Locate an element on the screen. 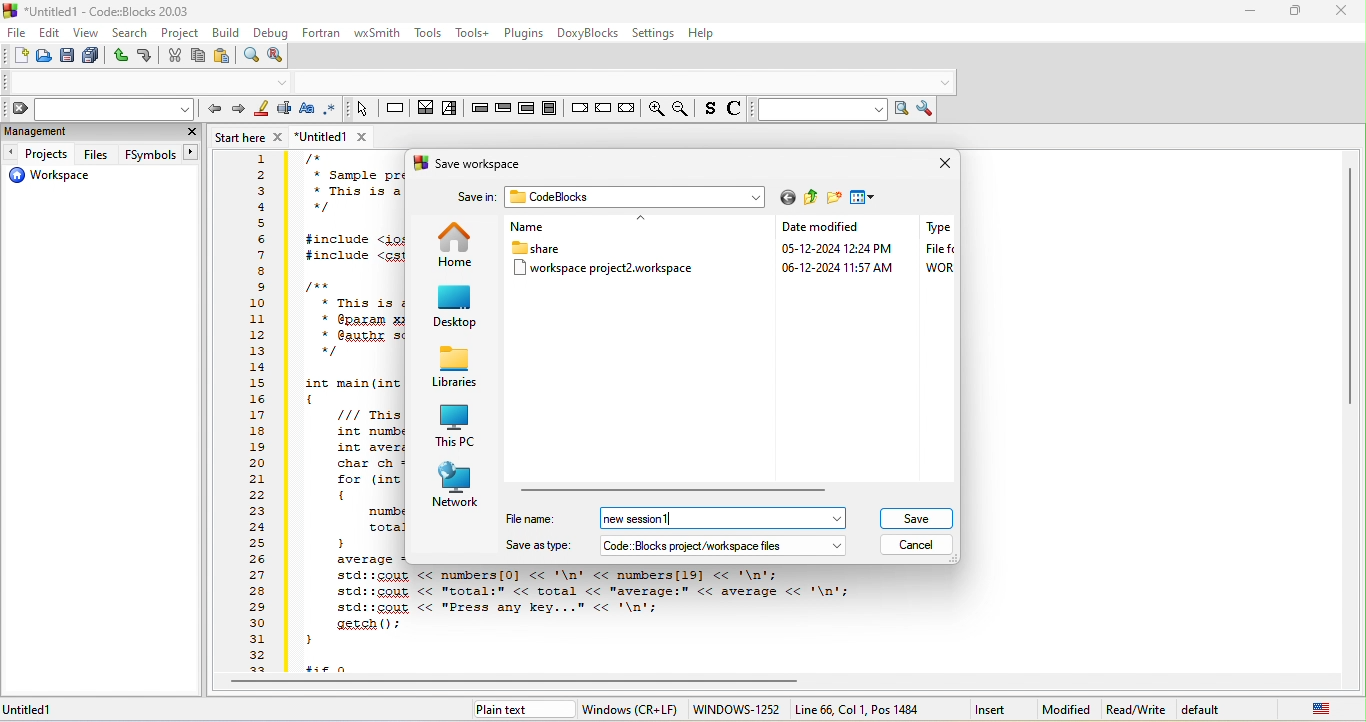 The image size is (1366, 722). windows is located at coordinates (628, 710).